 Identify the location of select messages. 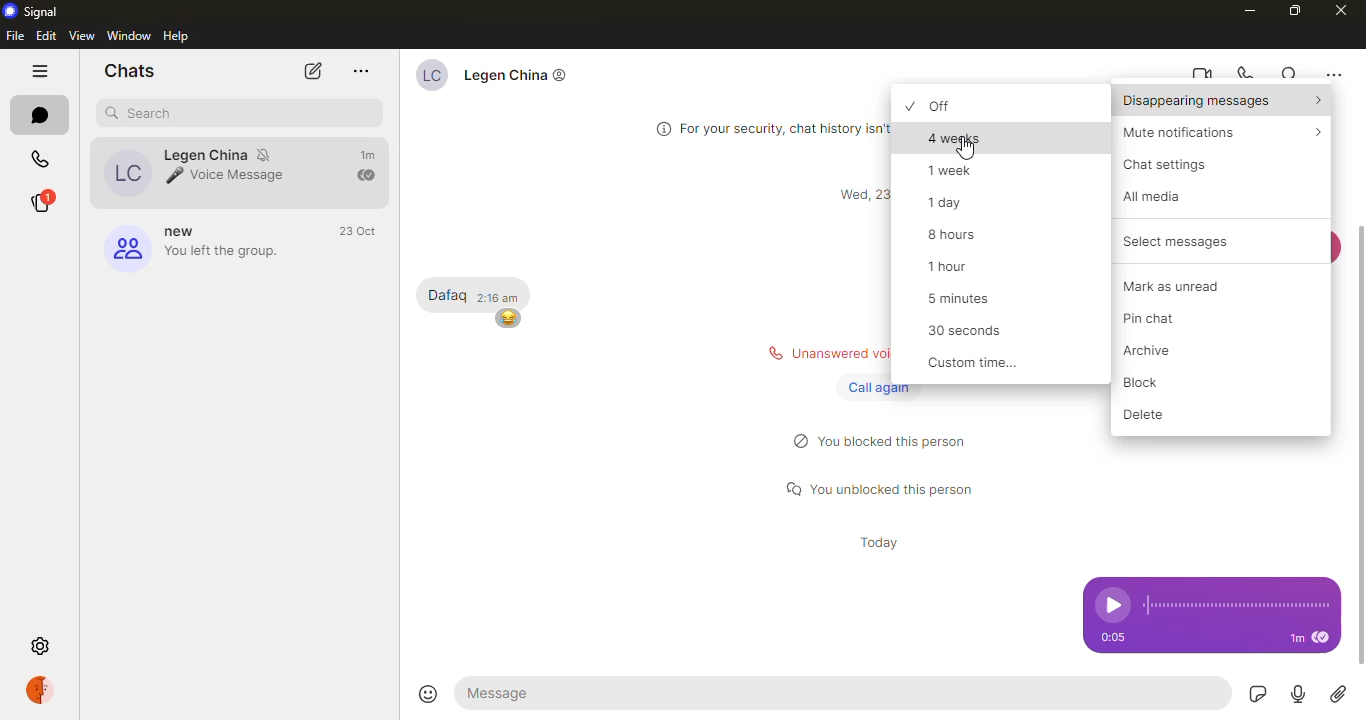
(1166, 242).